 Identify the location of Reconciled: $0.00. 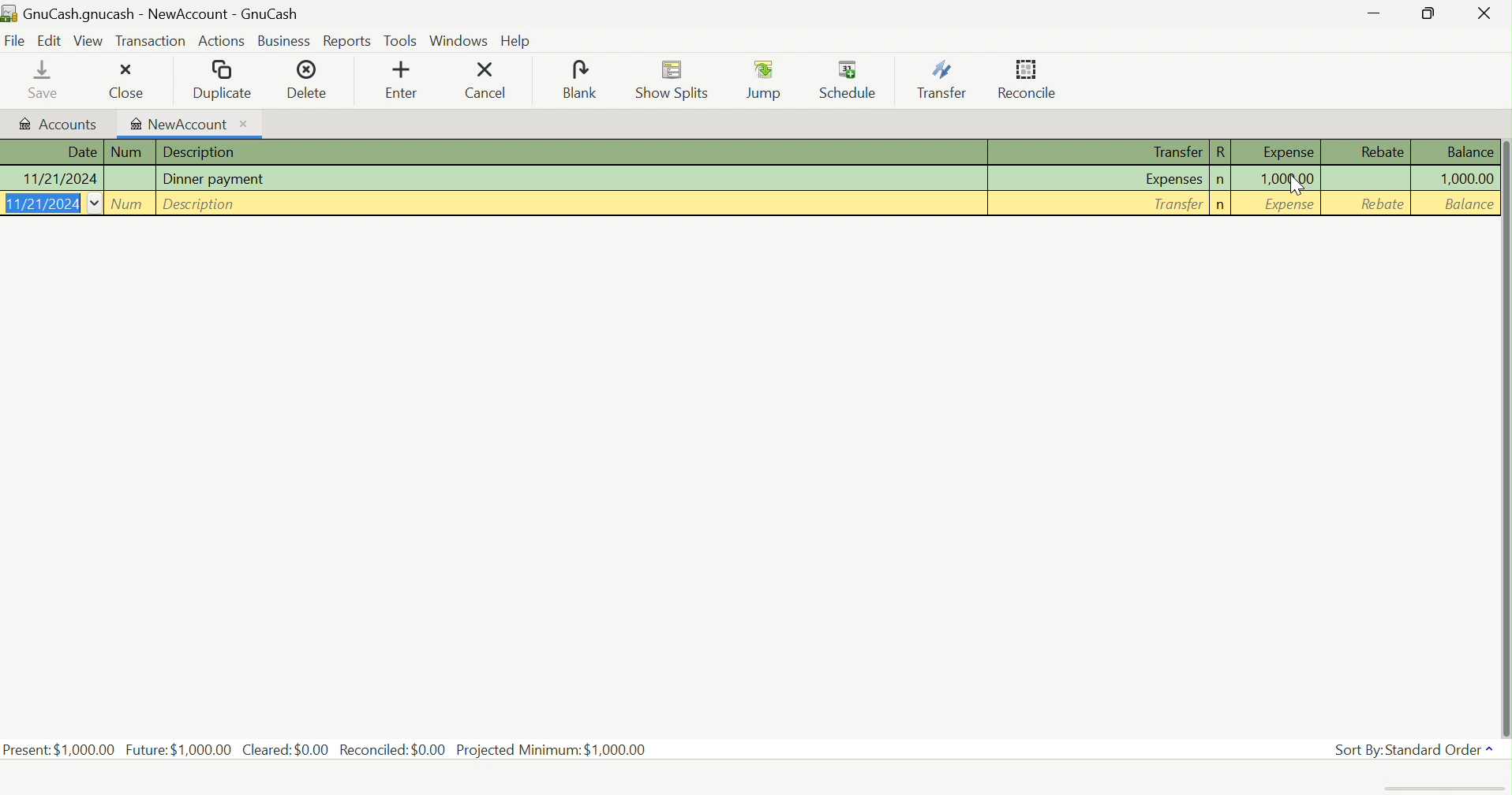
(393, 750).